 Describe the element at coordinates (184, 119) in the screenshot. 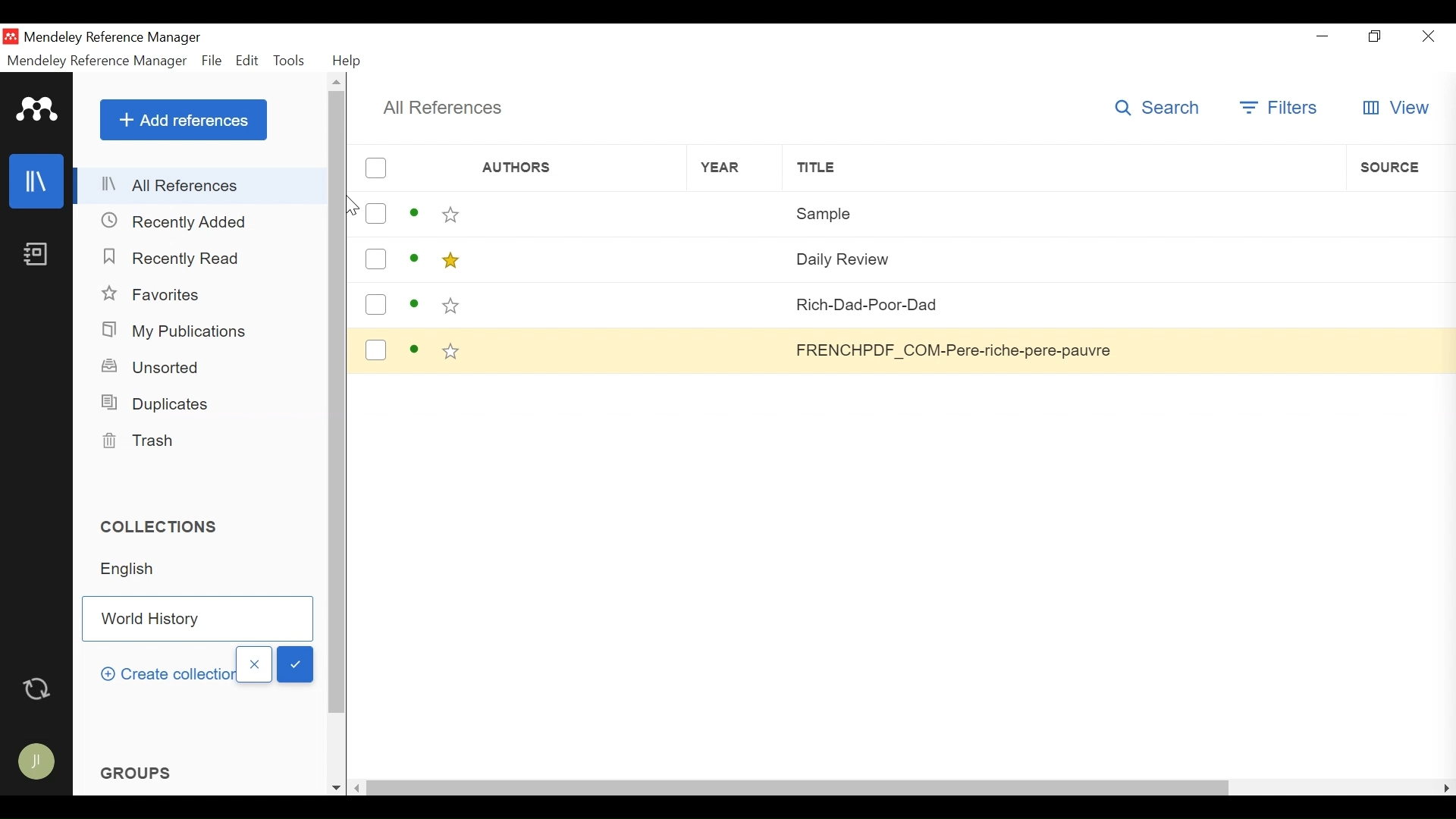

I see `Add References` at that location.